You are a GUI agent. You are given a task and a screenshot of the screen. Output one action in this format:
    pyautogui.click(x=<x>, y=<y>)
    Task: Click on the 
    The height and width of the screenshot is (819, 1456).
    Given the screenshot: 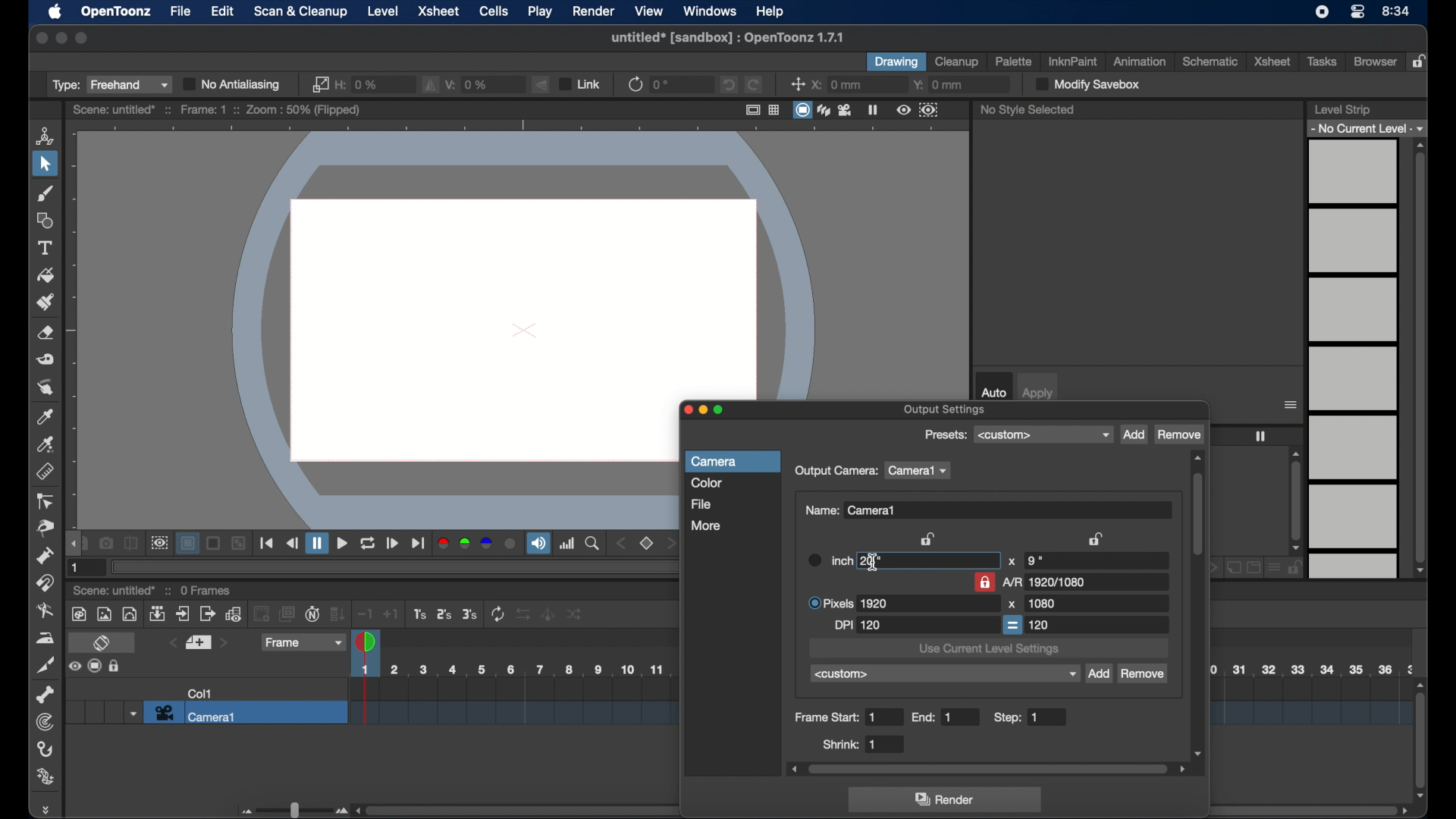 What is the action you would take?
    pyautogui.click(x=105, y=616)
    